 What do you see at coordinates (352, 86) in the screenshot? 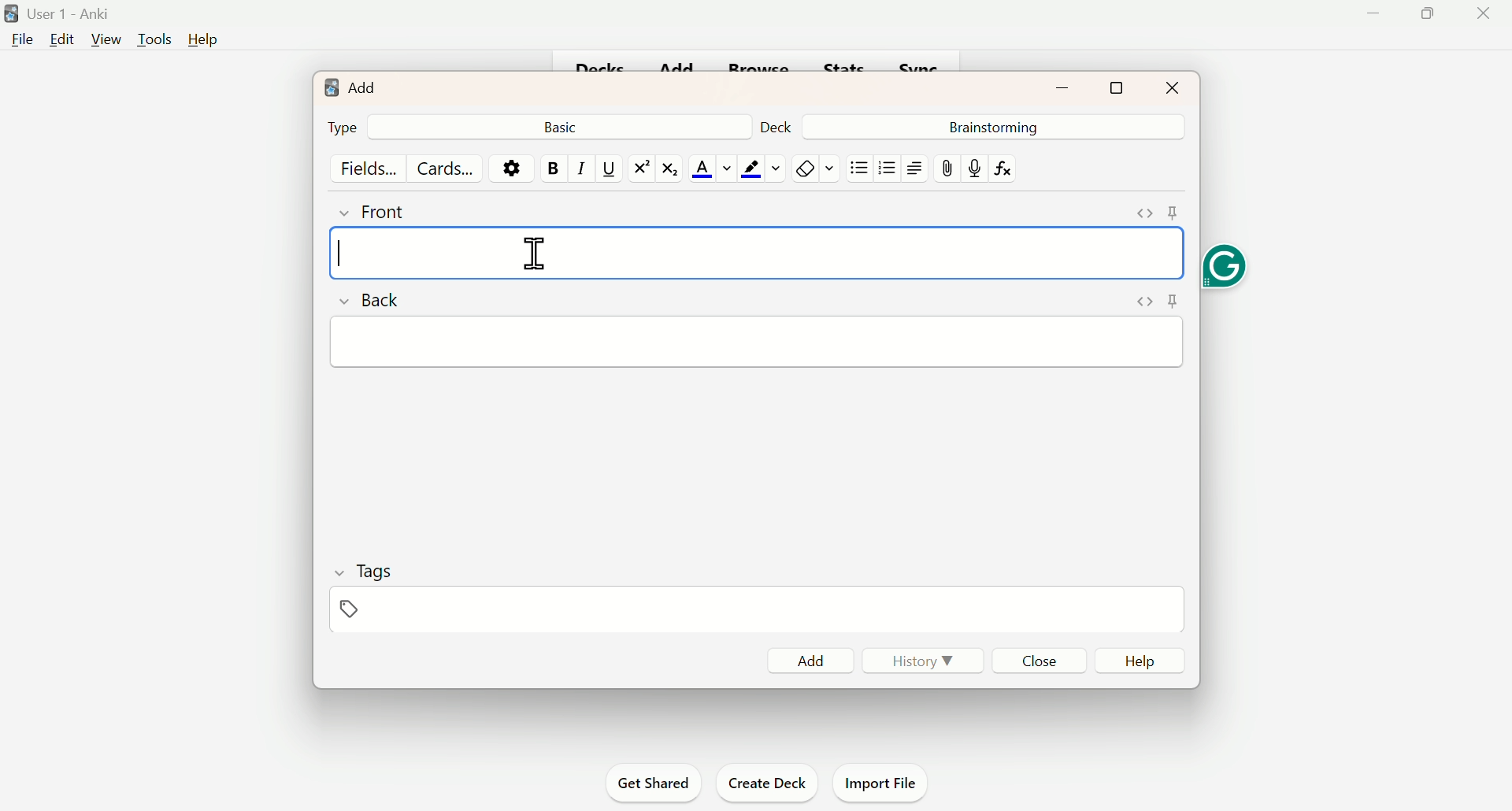
I see `Add` at bounding box center [352, 86].